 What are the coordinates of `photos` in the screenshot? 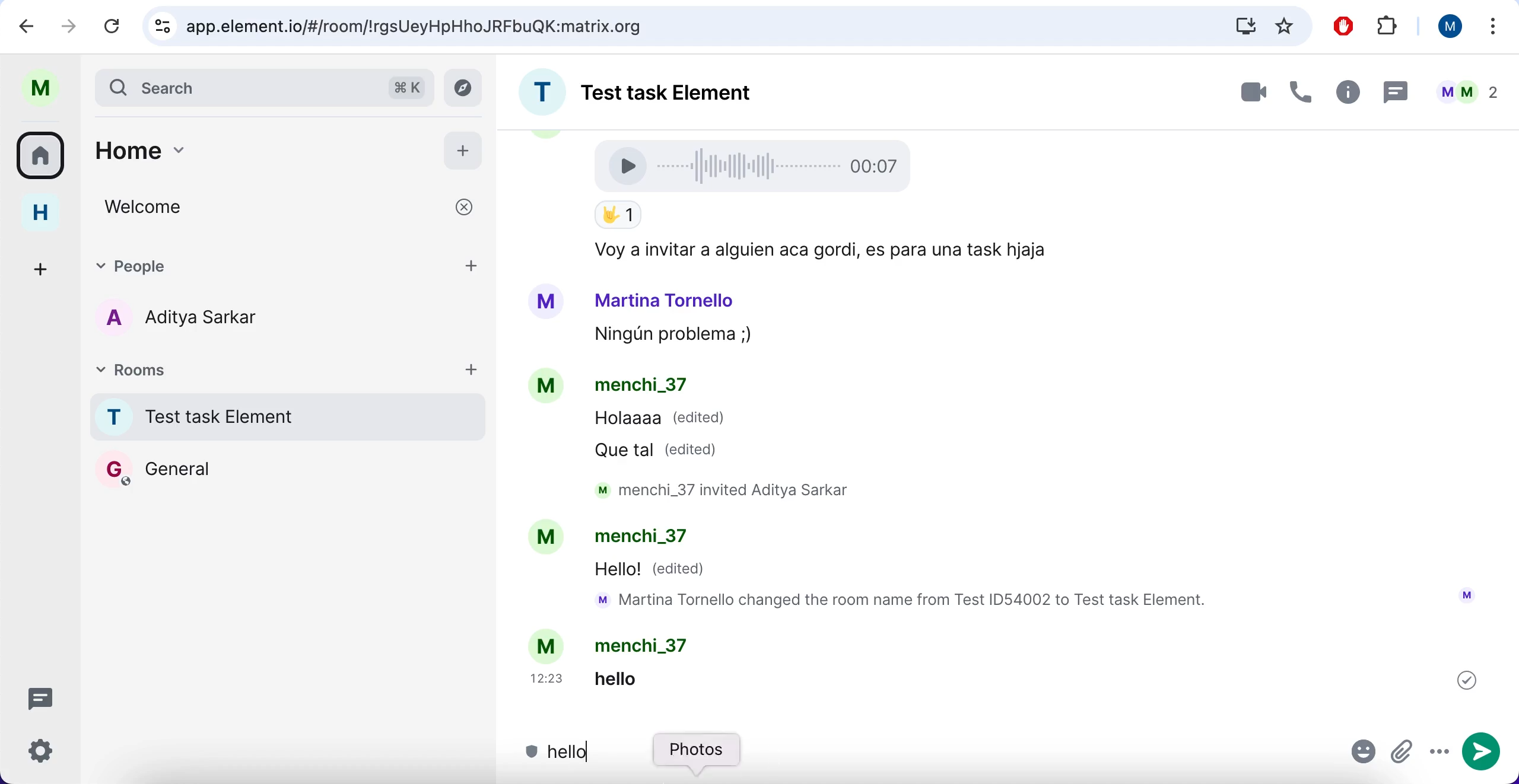 It's located at (699, 757).